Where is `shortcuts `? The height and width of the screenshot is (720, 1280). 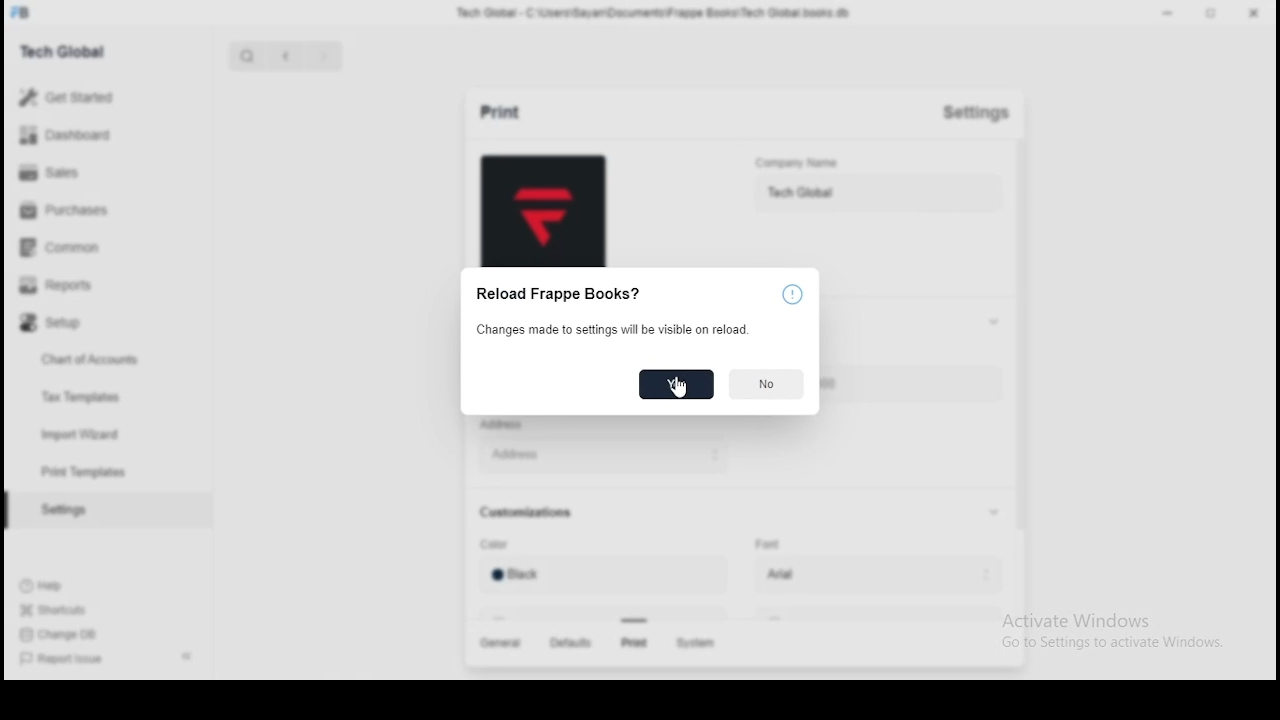 shortcuts  is located at coordinates (56, 613).